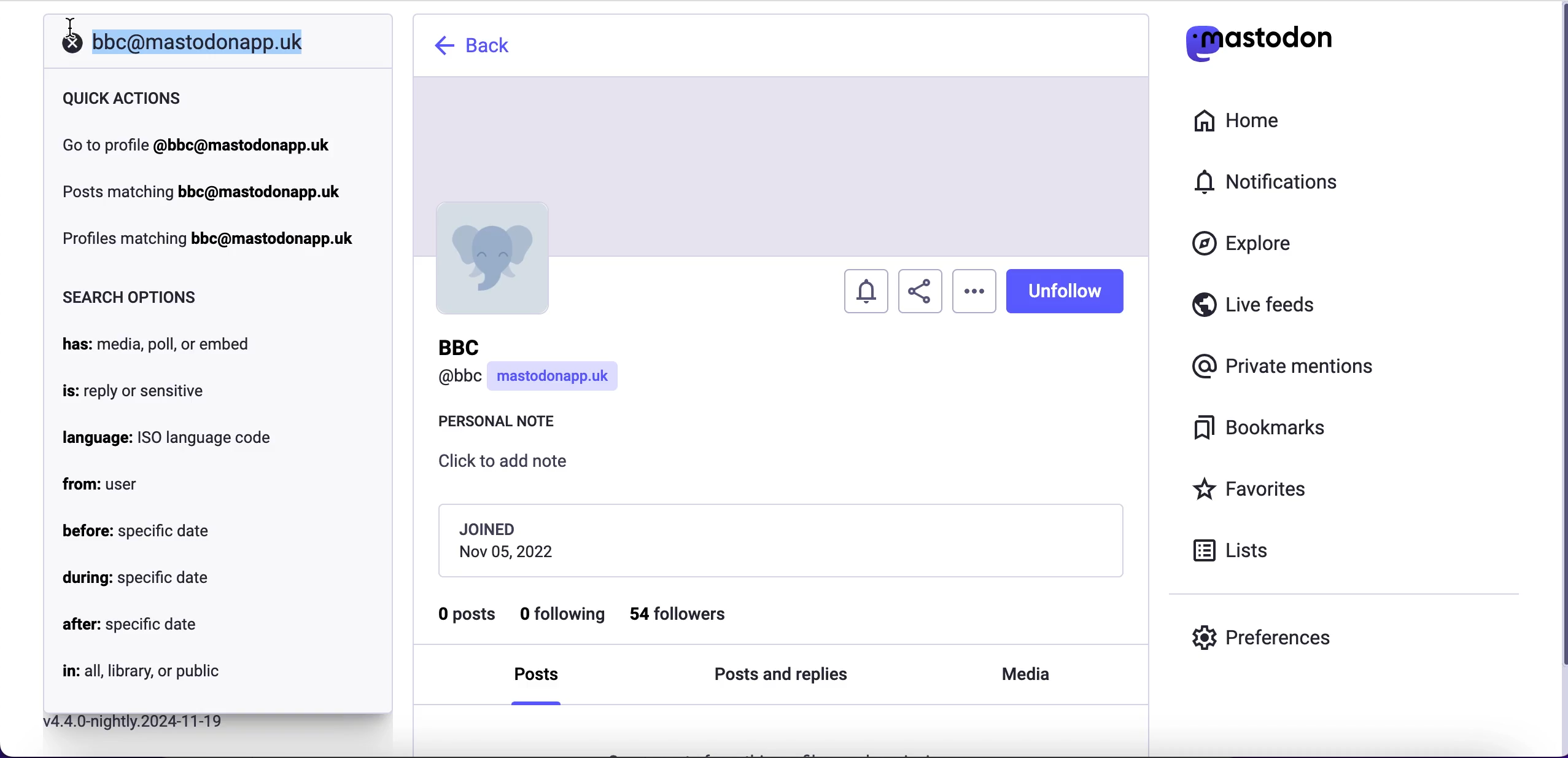  What do you see at coordinates (490, 258) in the screenshot?
I see `profile picture` at bounding box center [490, 258].